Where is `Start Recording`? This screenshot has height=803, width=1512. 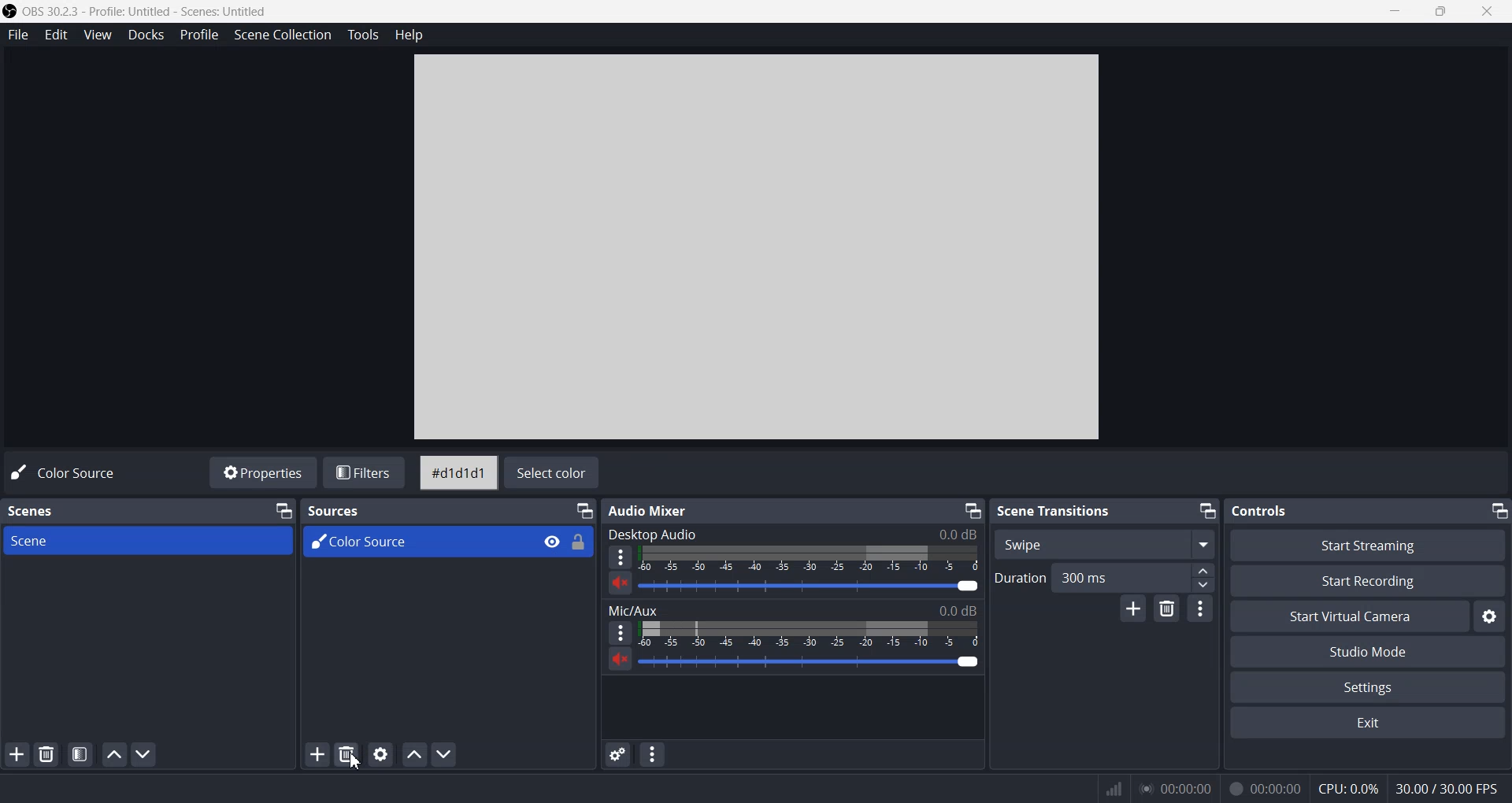 Start Recording is located at coordinates (1369, 581).